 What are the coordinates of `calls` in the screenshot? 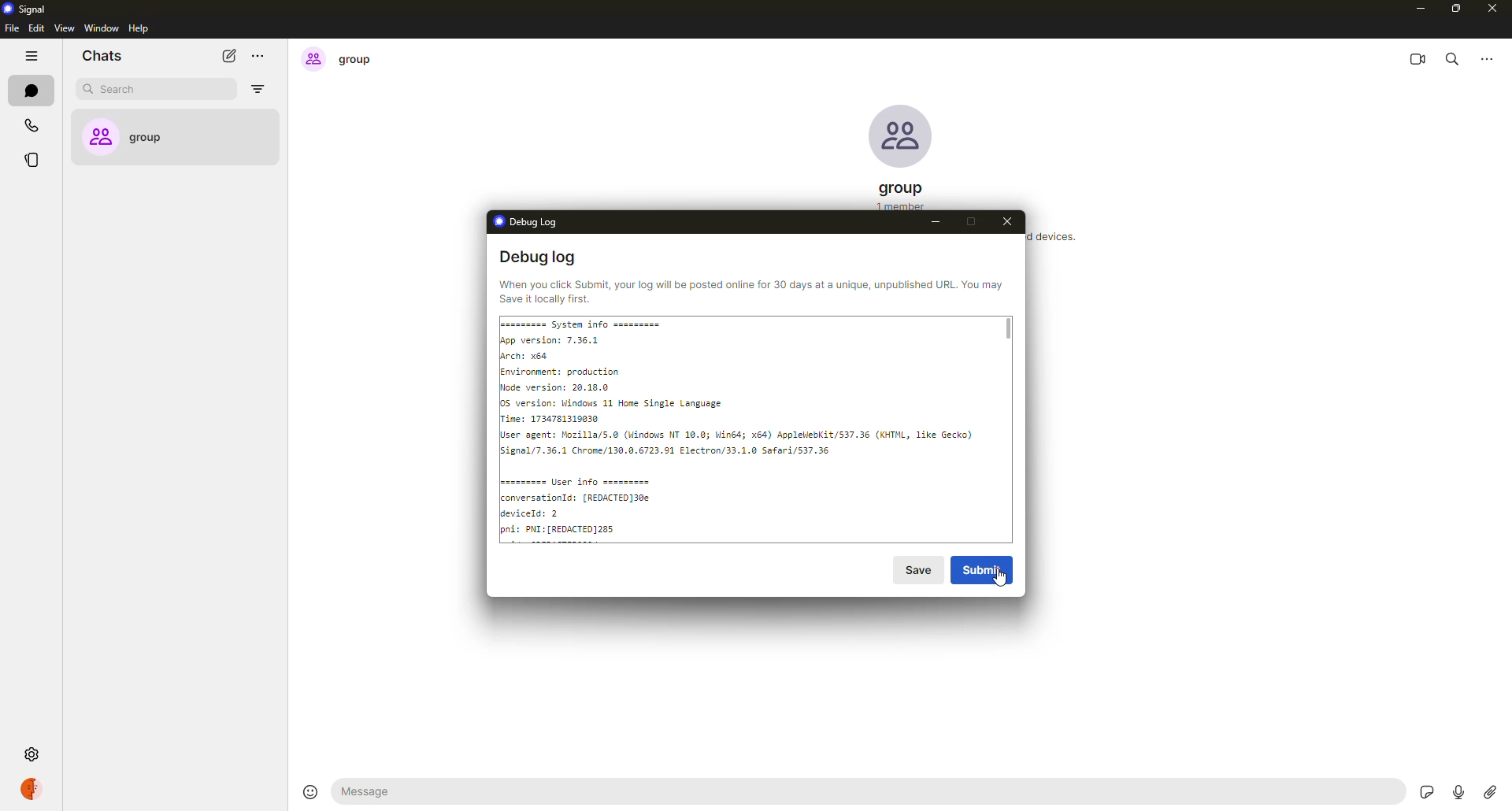 It's located at (29, 124).